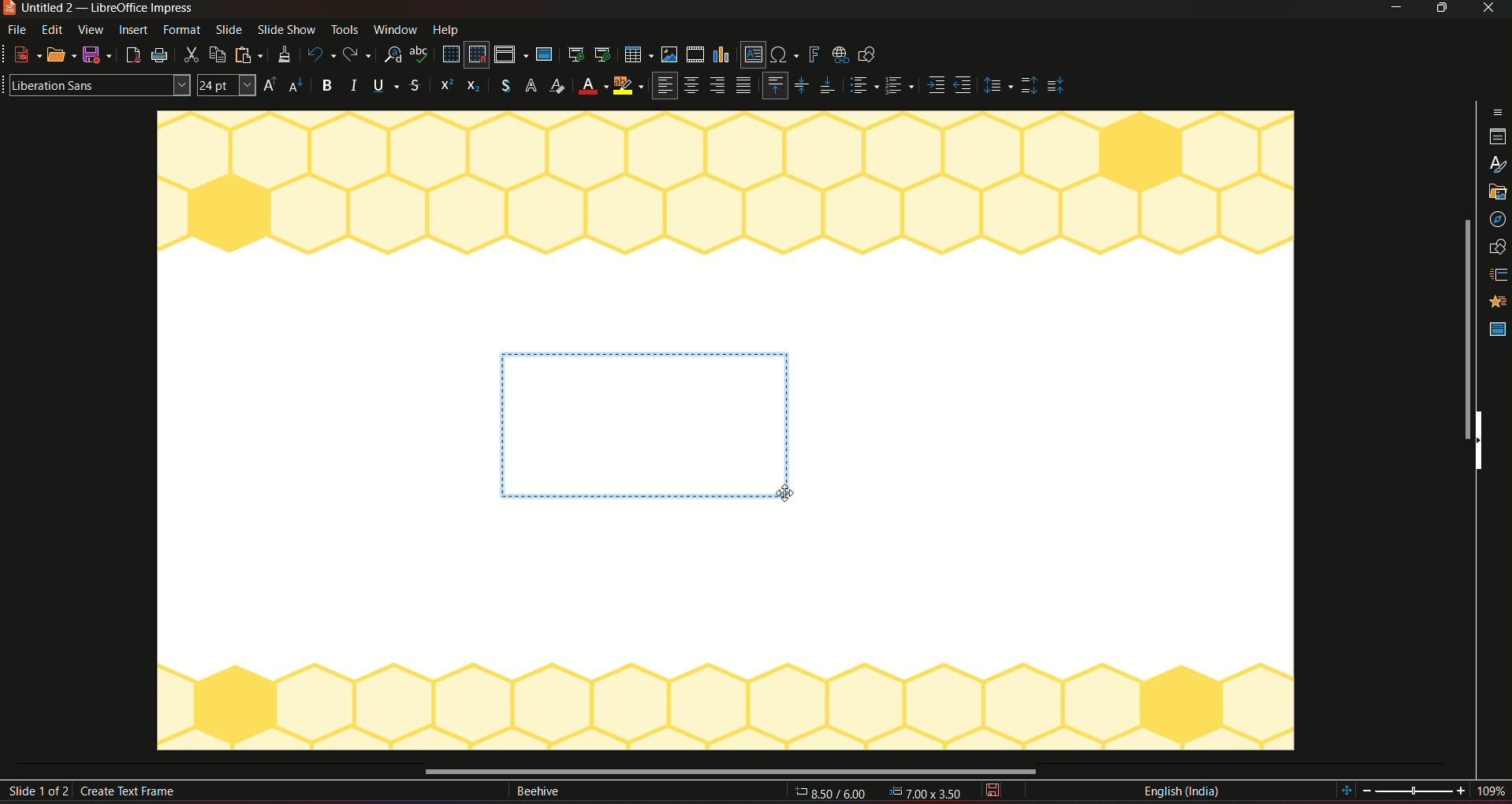  What do you see at coordinates (814, 54) in the screenshot?
I see `insert fontwork text` at bounding box center [814, 54].